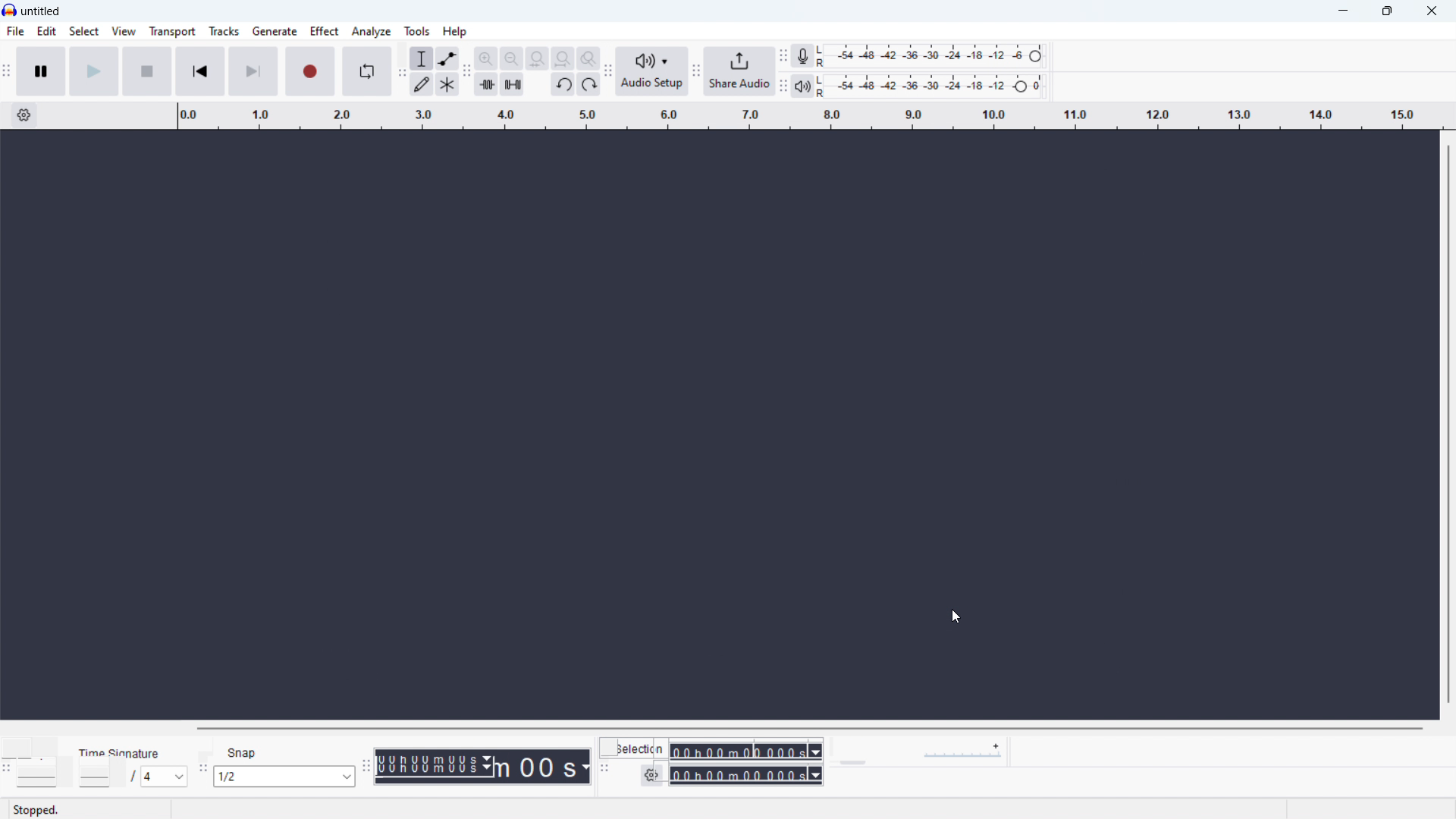 Image resolution: width=1456 pixels, height=819 pixels. I want to click on playback level, so click(935, 86).